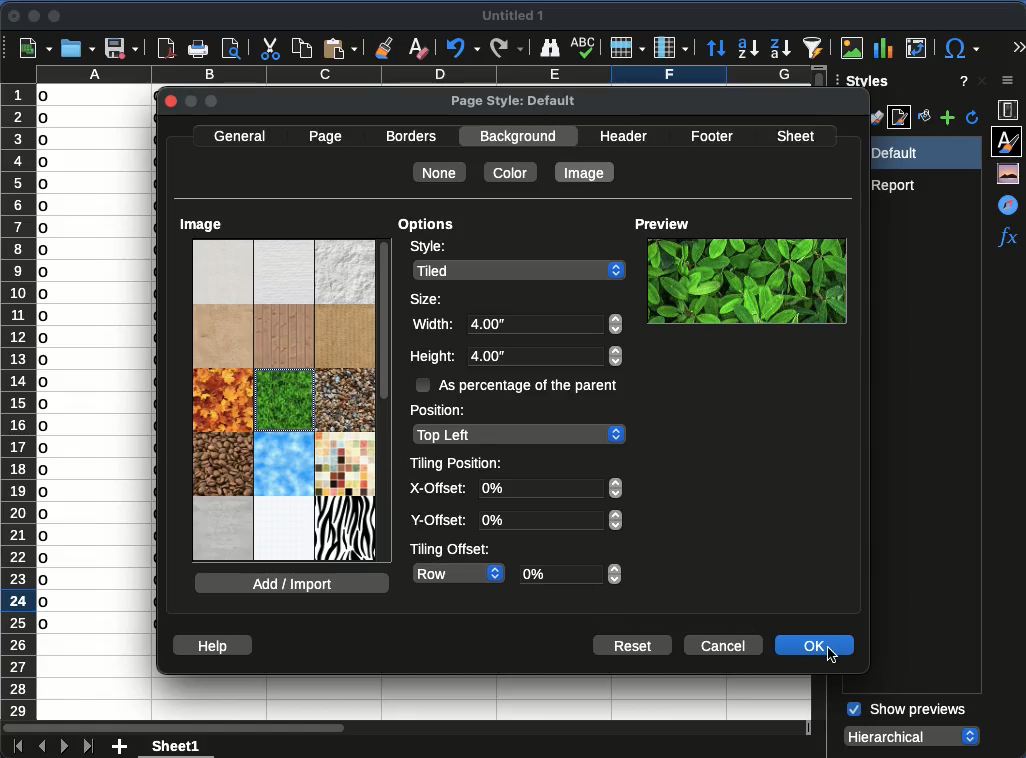 The height and width of the screenshot is (758, 1026). Describe the element at coordinates (1011, 174) in the screenshot. I see `gallery` at that location.